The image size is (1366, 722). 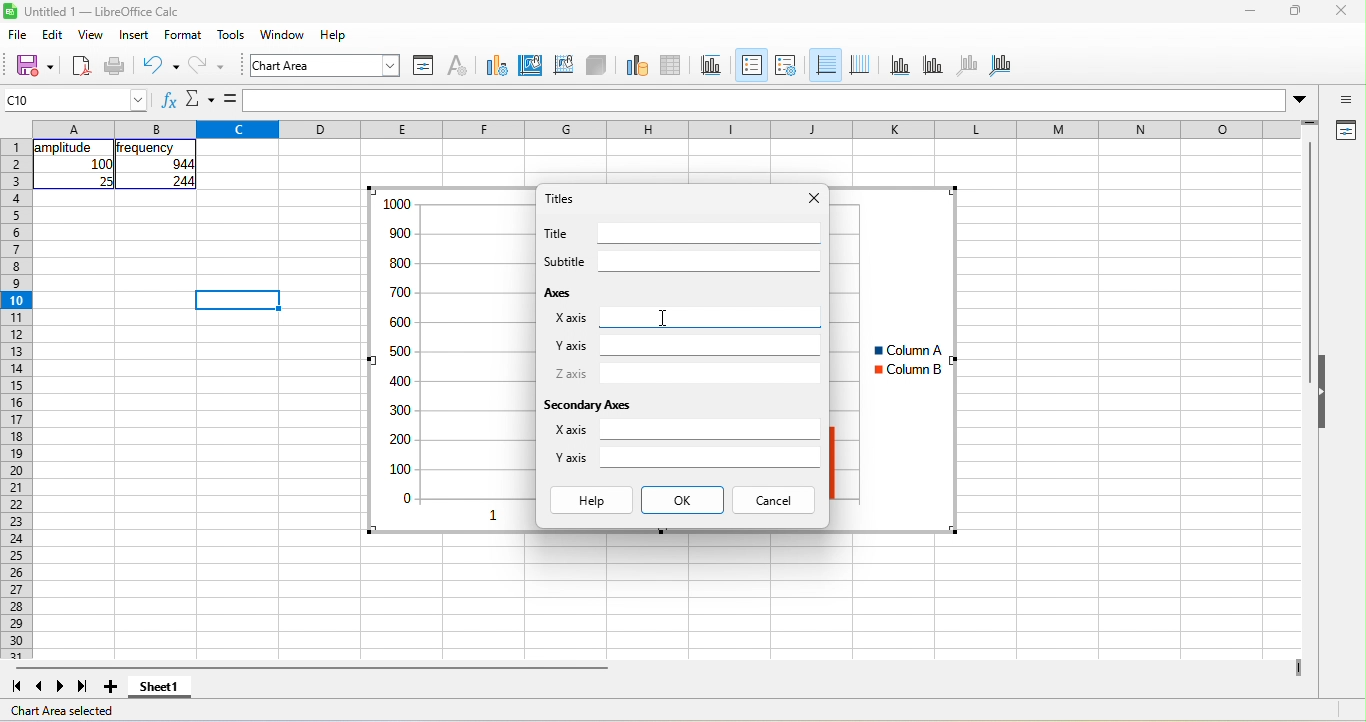 I want to click on Subtitle, so click(x=565, y=261).